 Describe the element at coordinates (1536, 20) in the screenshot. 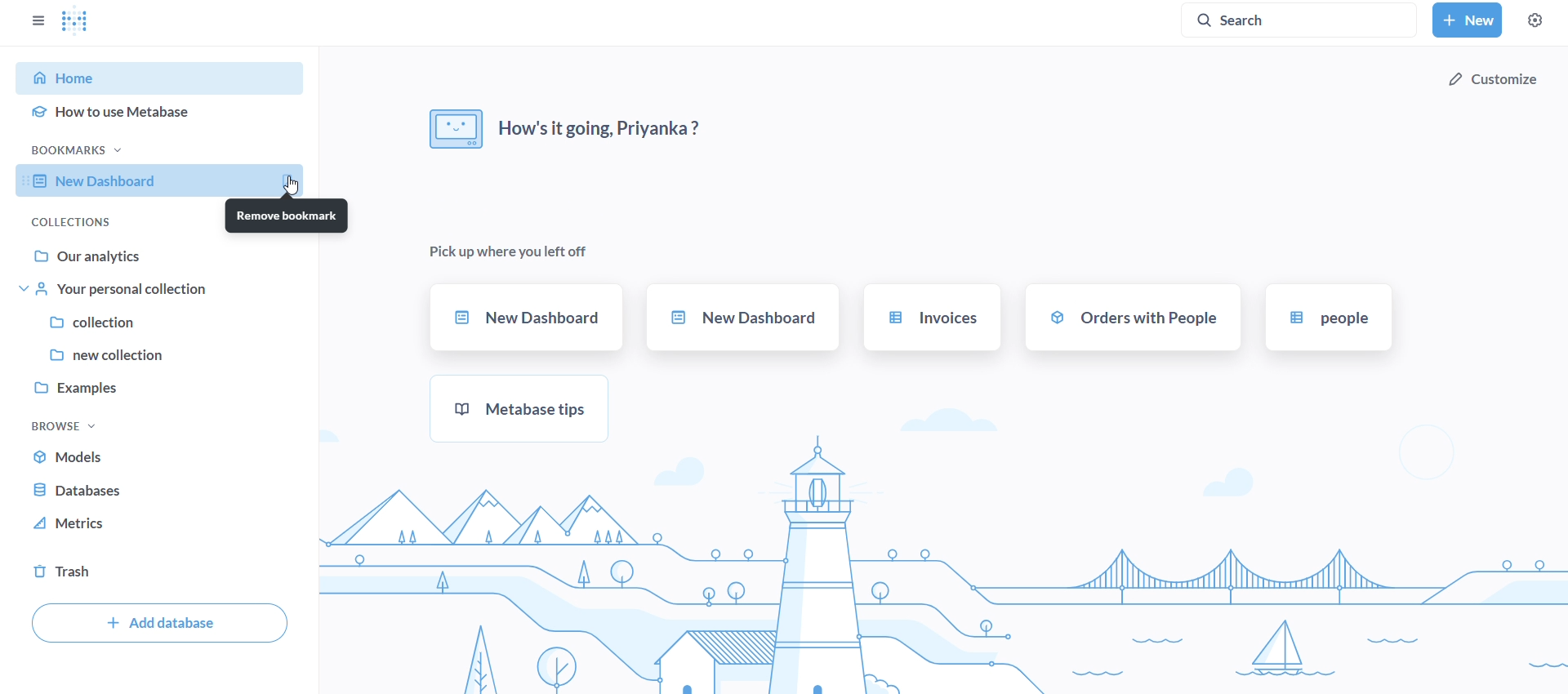

I see `settings` at that location.